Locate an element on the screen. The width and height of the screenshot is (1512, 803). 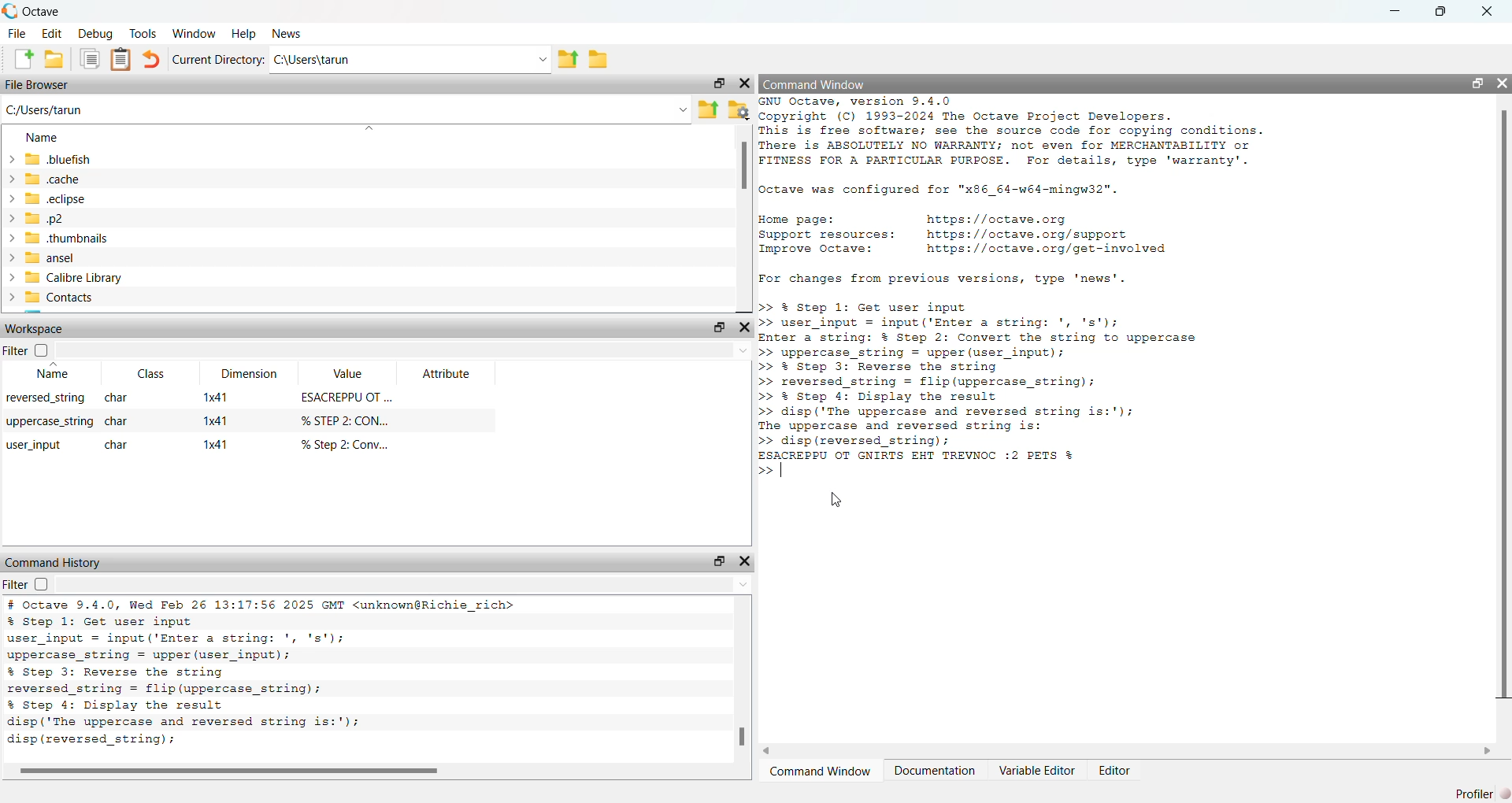
copy is located at coordinates (90, 60).